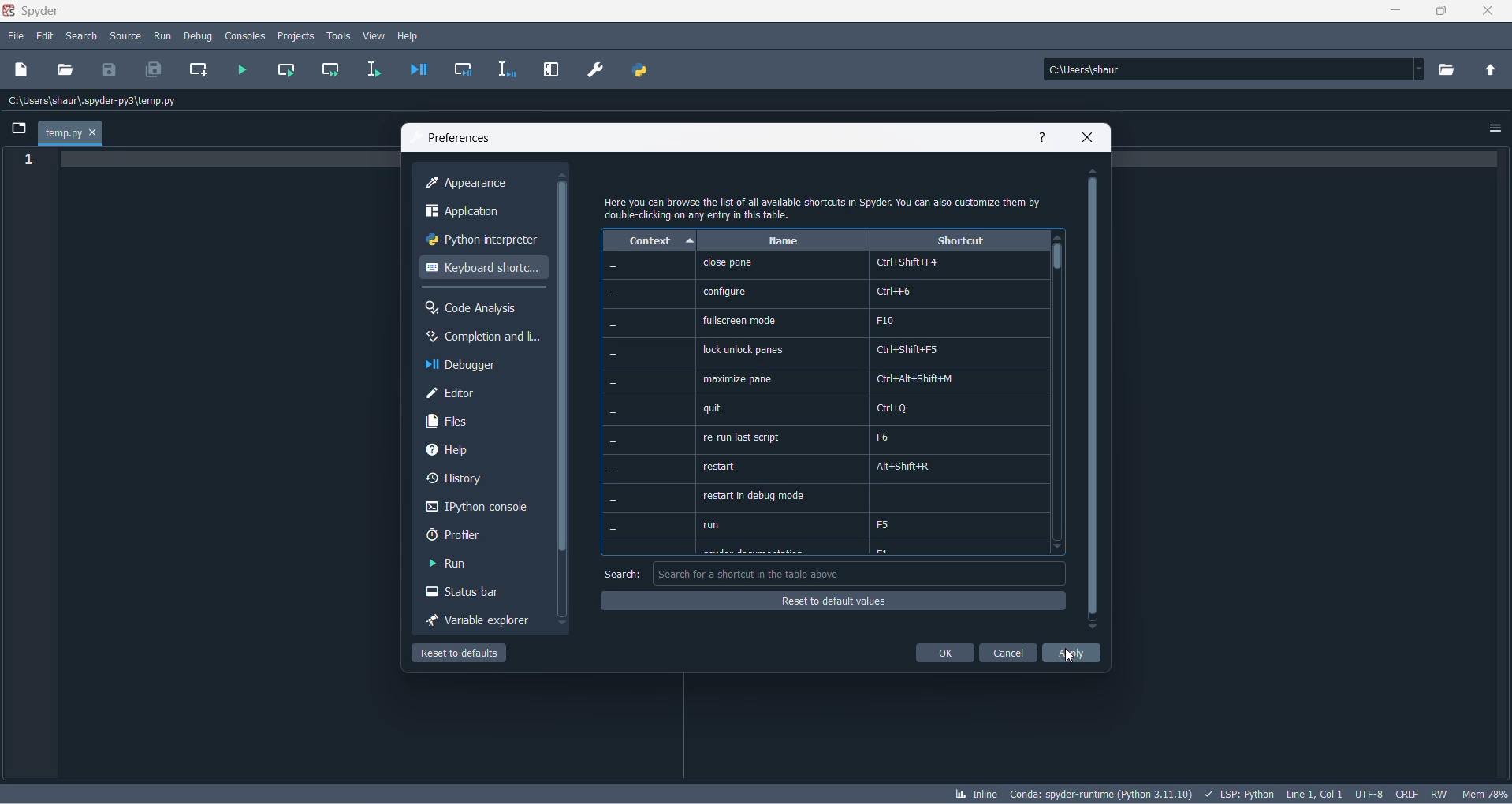 This screenshot has height=804, width=1512. I want to click on -, so click(615, 471).